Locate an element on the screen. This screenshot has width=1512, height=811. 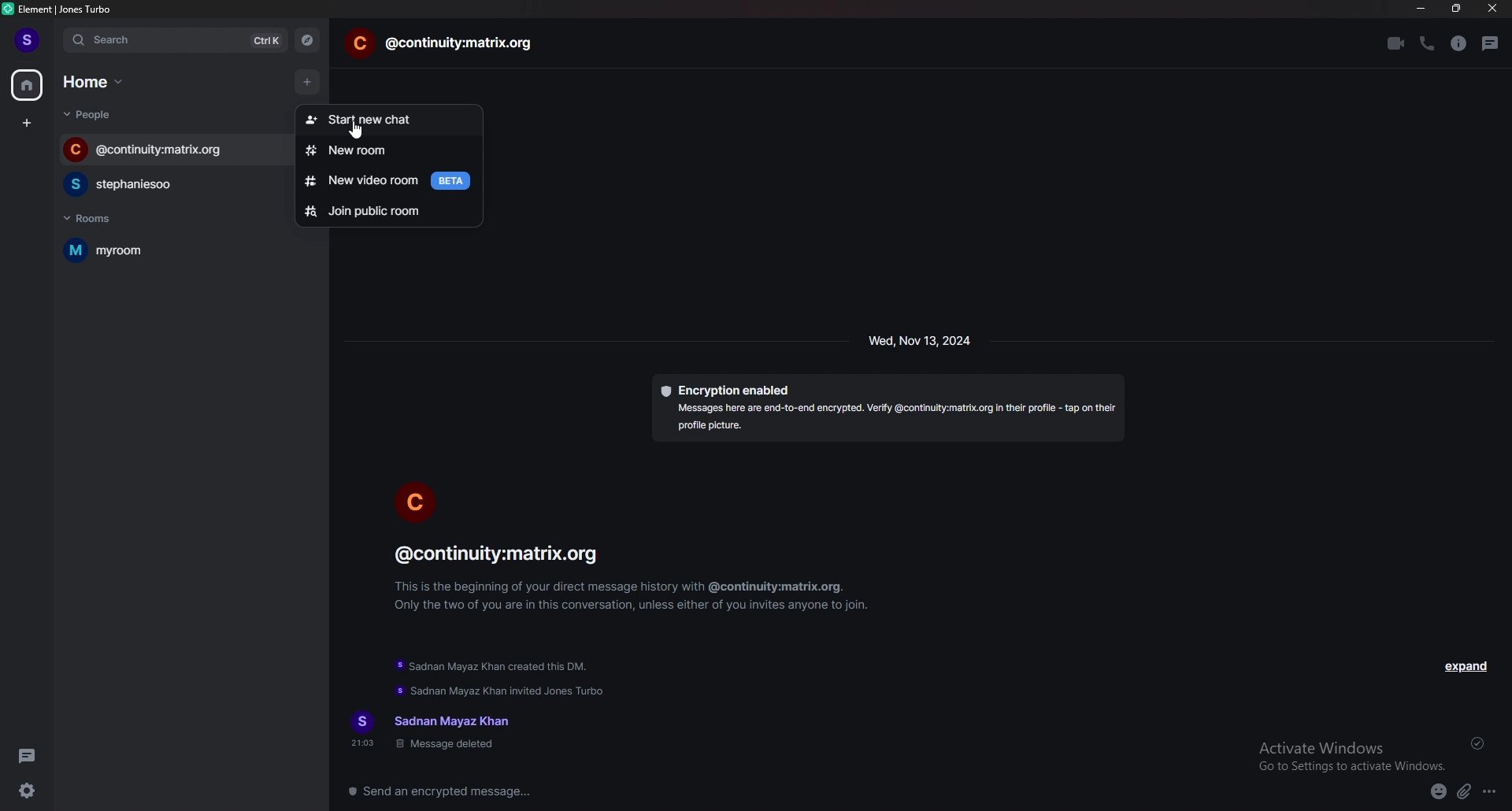
chat is located at coordinates (441, 44).